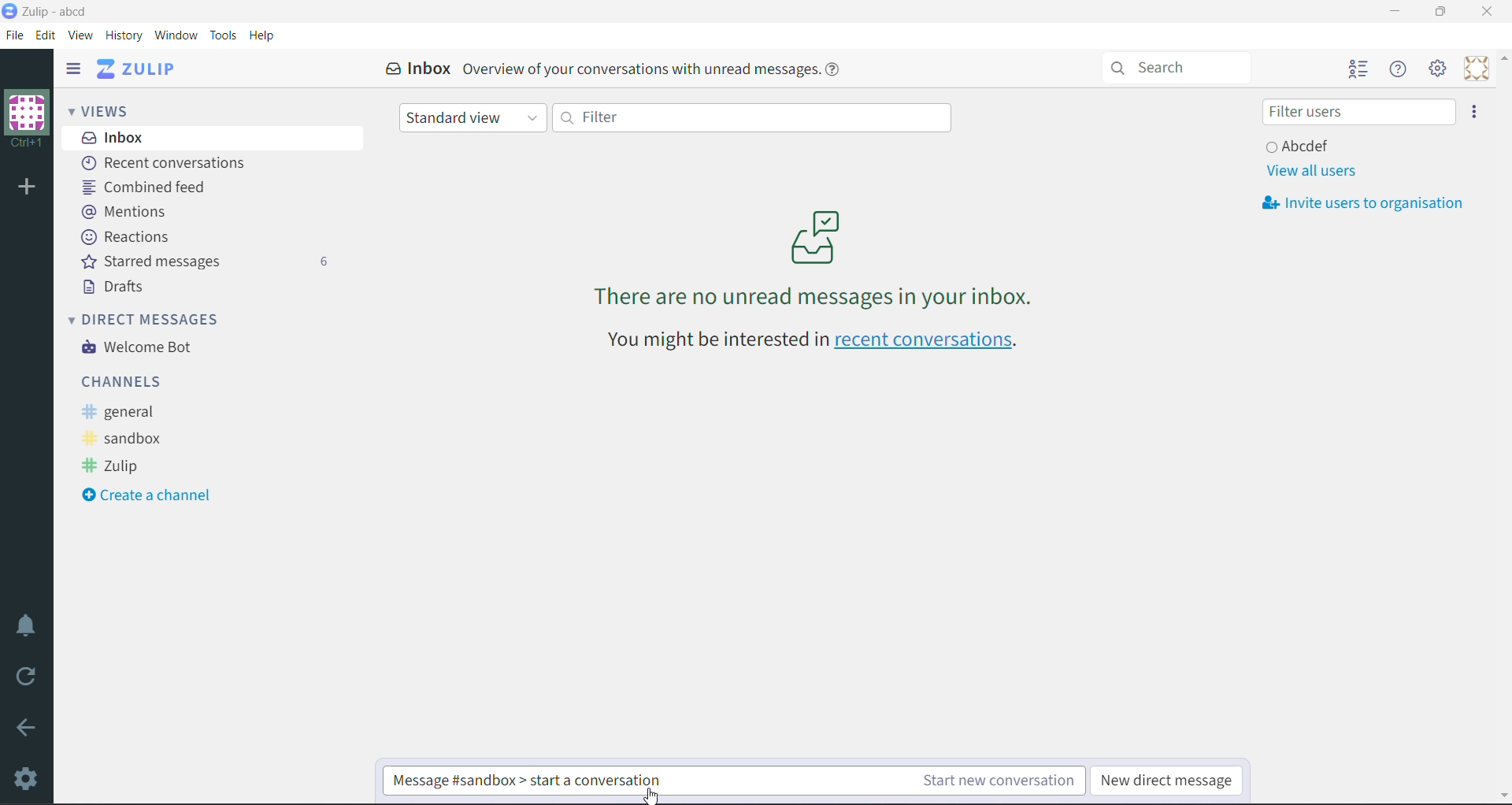 This screenshot has height=805, width=1512. I want to click on Views, so click(110, 109).